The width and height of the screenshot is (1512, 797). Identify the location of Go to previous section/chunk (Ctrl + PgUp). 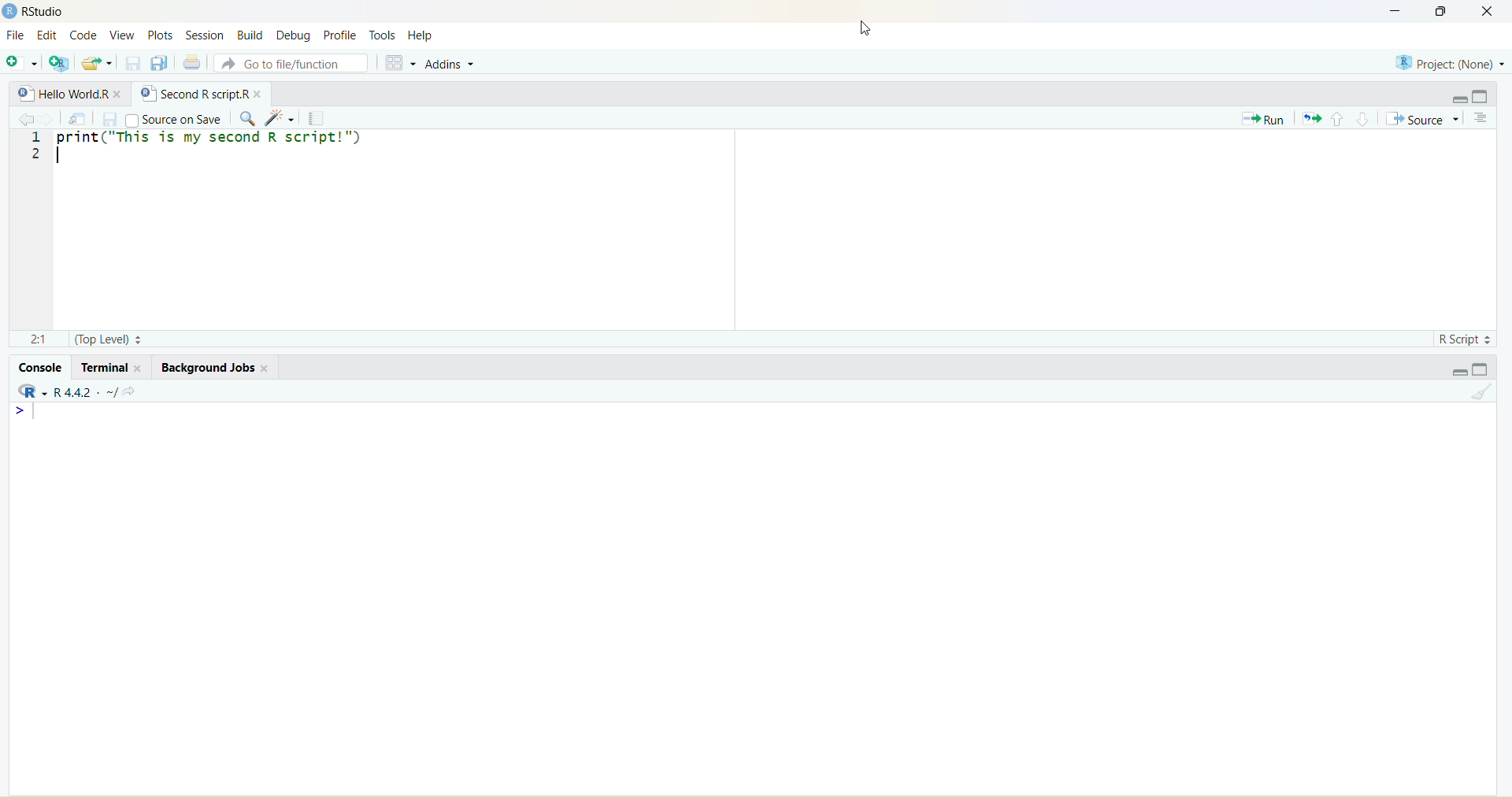
(1336, 117).